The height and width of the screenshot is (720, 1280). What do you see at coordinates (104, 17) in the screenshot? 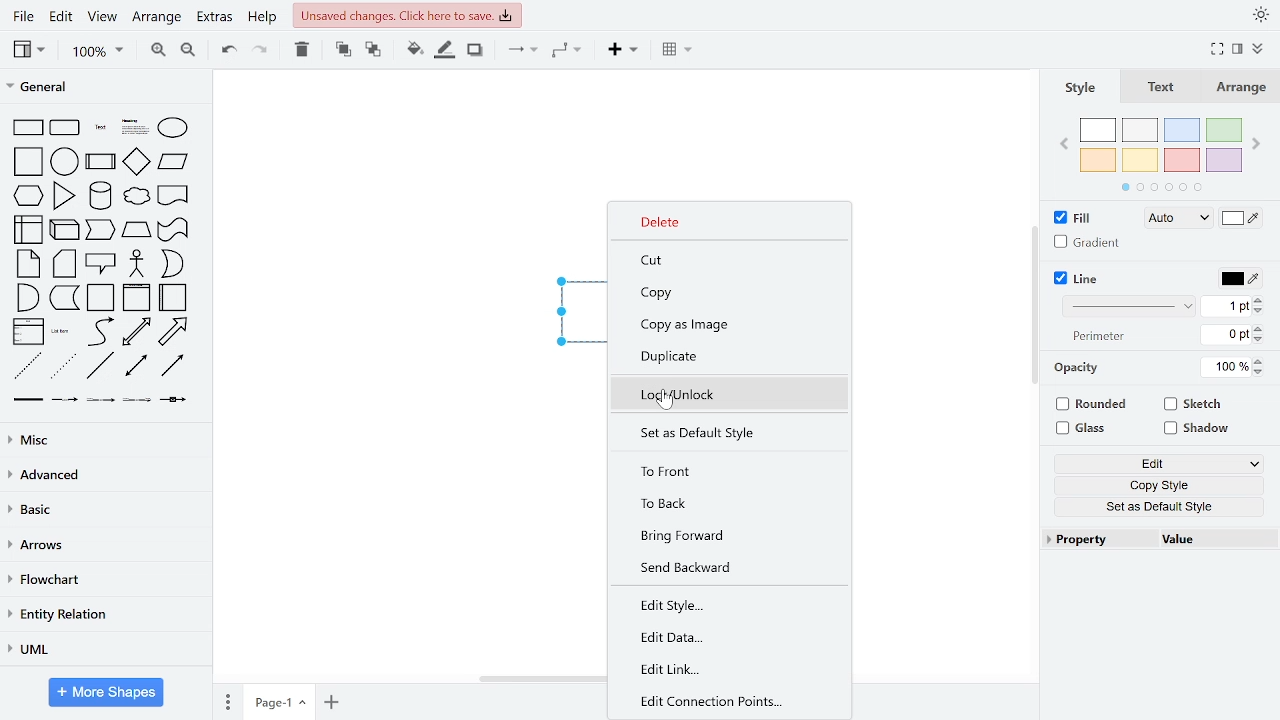
I see `view` at bounding box center [104, 17].